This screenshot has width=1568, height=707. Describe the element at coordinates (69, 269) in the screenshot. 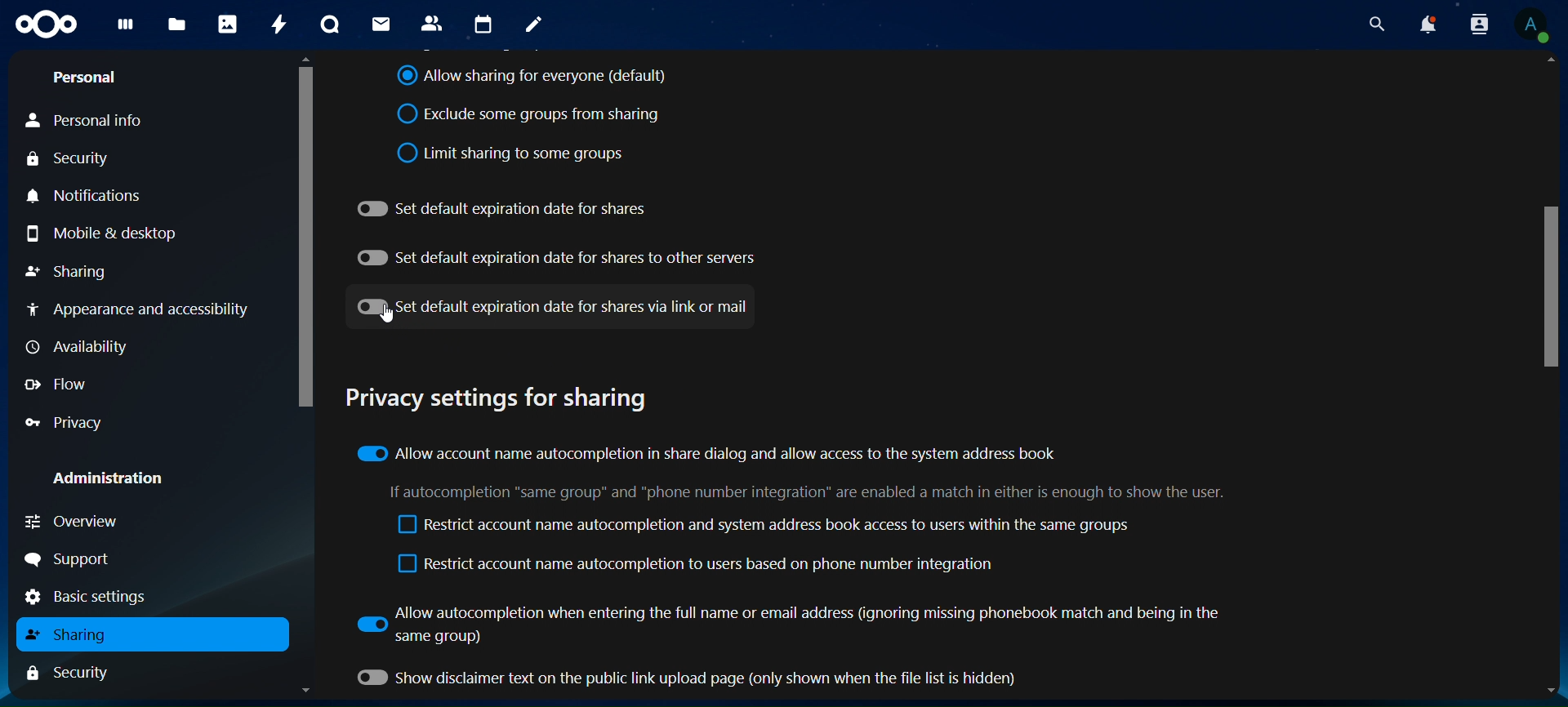

I see `sharing` at that location.